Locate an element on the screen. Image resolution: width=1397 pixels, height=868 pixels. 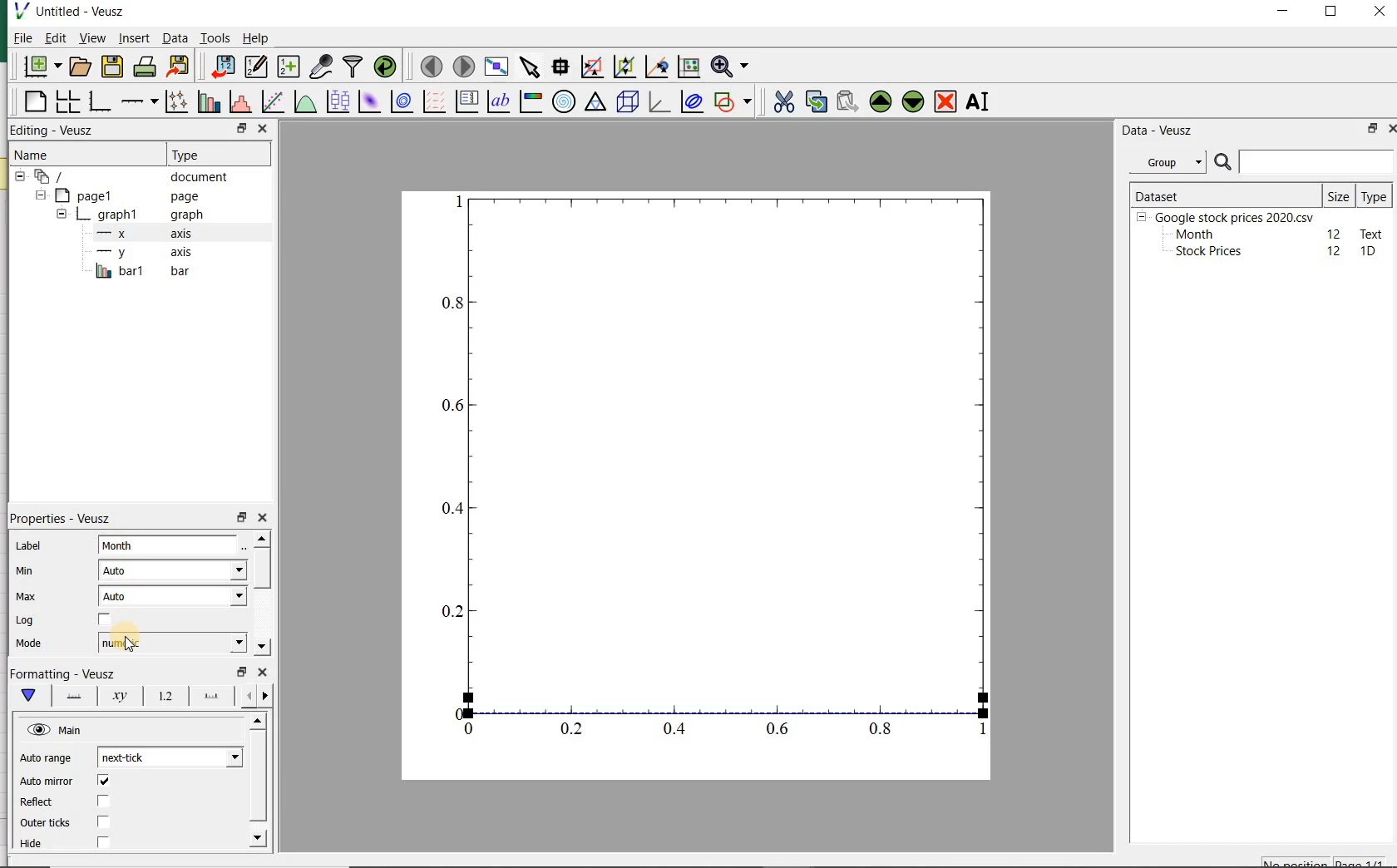
add an axis to the plot is located at coordinates (138, 103).